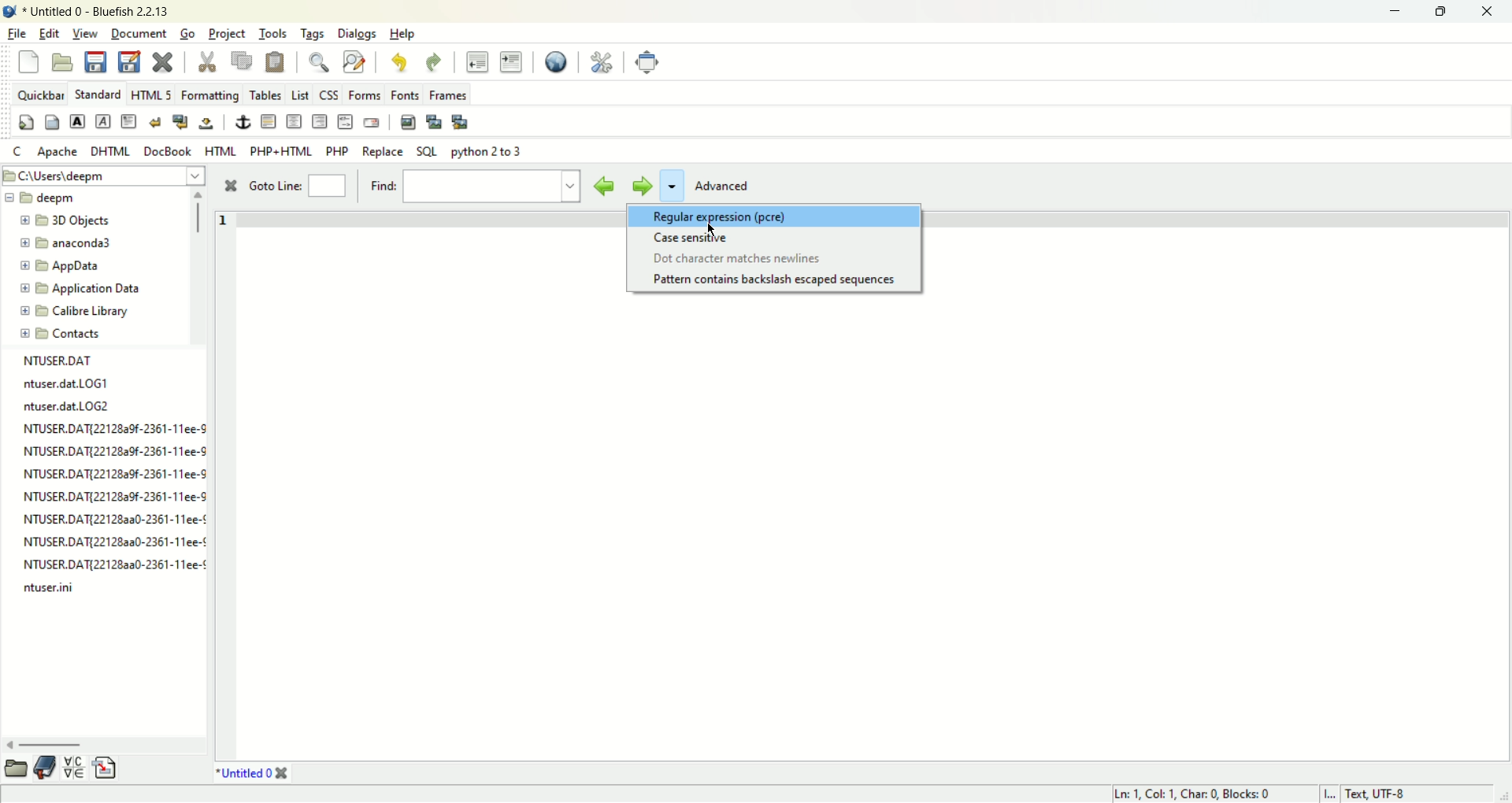 The height and width of the screenshot is (803, 1512). I want to click on tags, so click(311, 34).